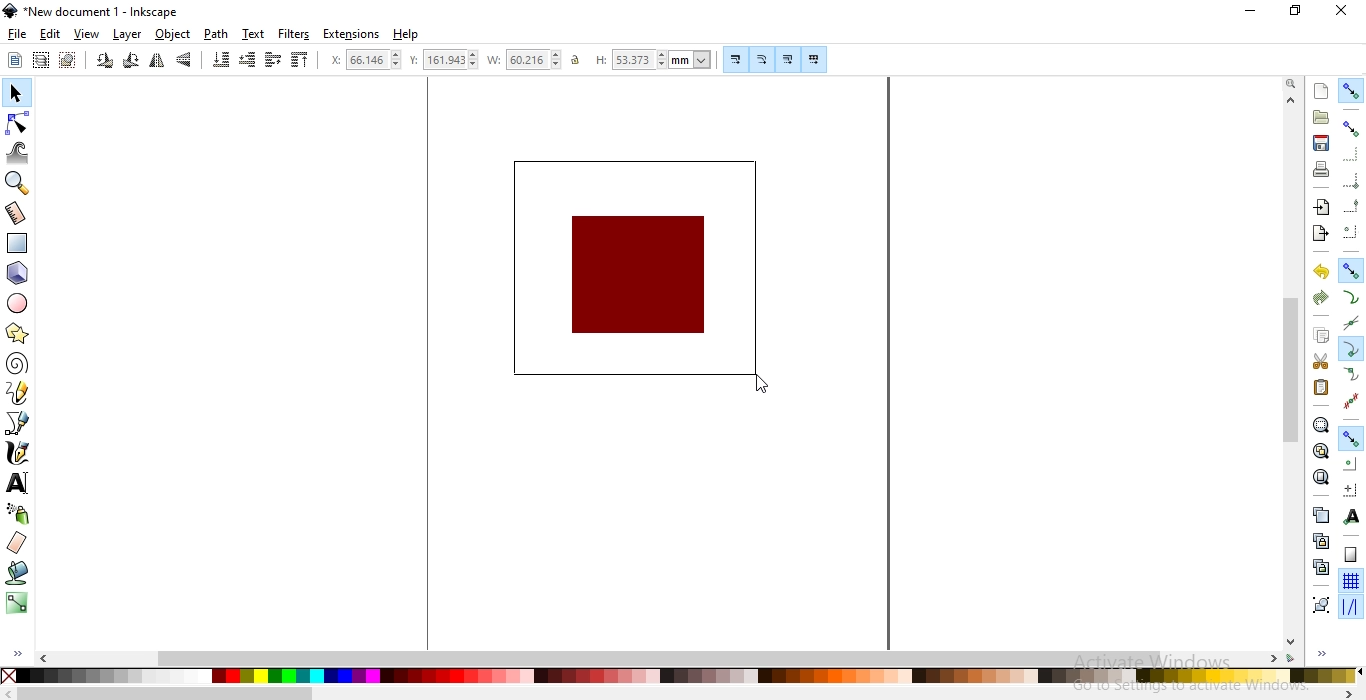 The image size is (1366, 700). I want to click on paste selection, so click(1321, 388).